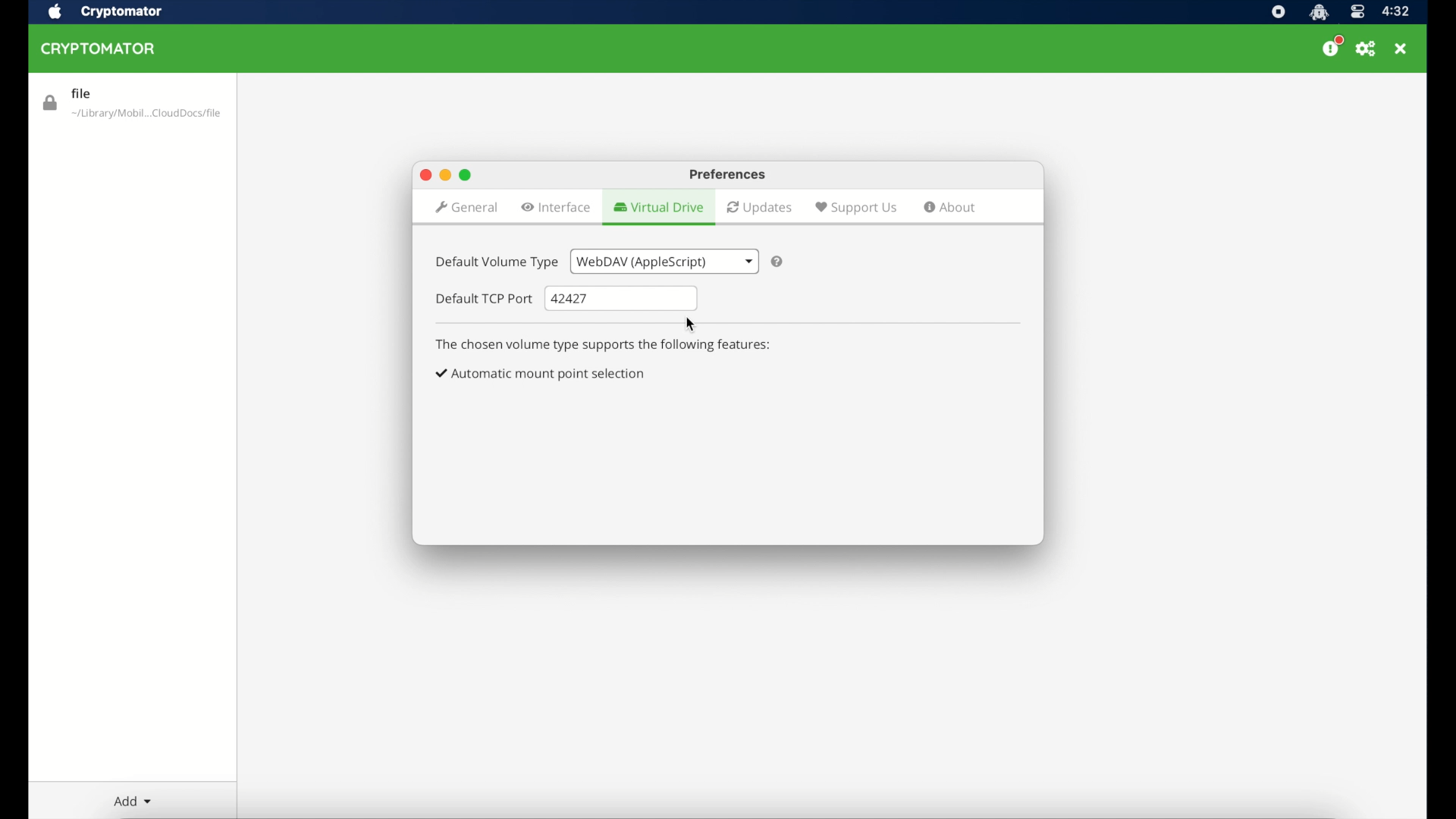  What do you see at coordinates (495, 262) in the screenshot?
I see `default volume type` at bounding box center [495, 262].